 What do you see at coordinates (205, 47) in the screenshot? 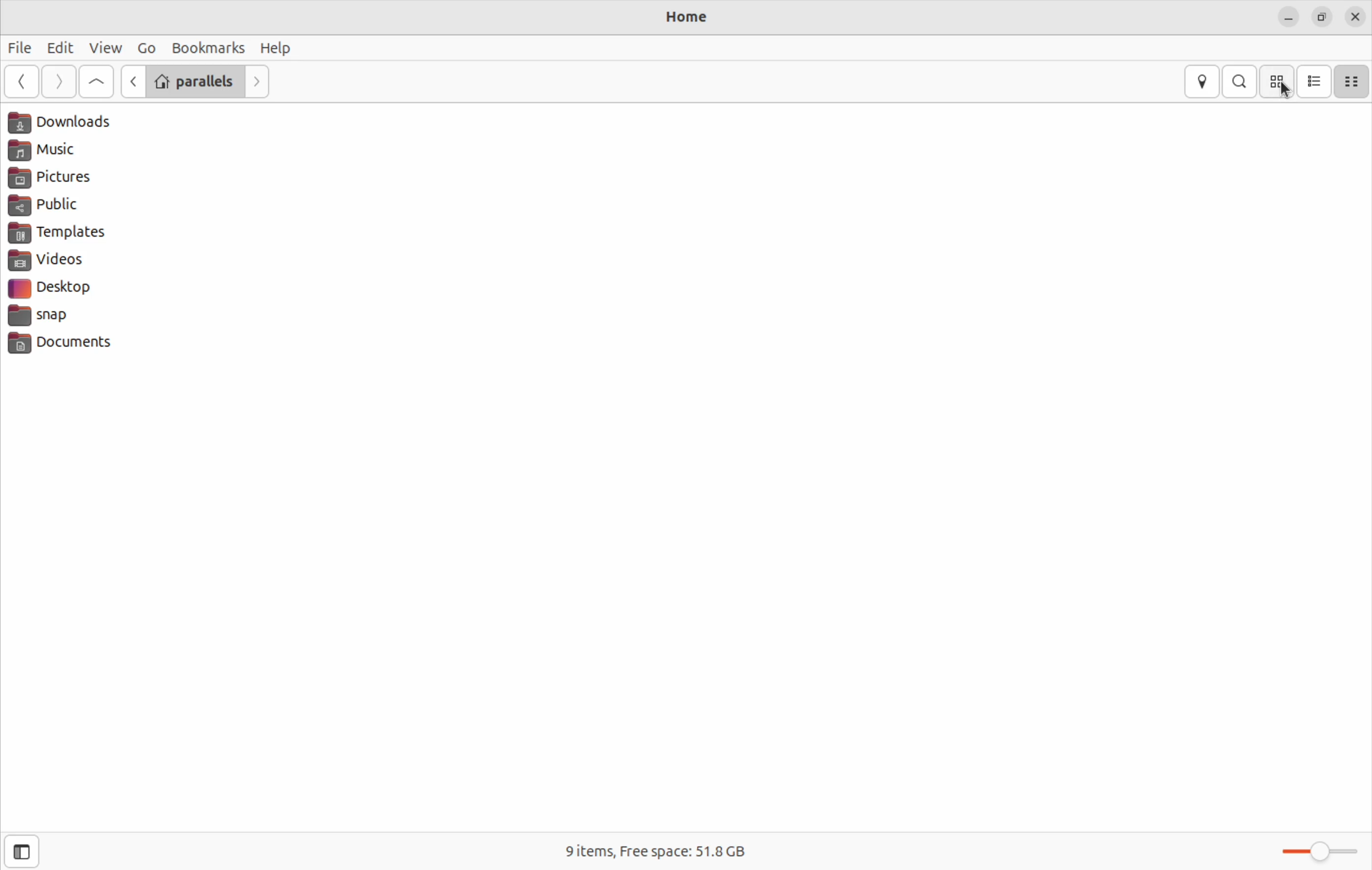
I see `bookmark` at bounding box center [205, 47].